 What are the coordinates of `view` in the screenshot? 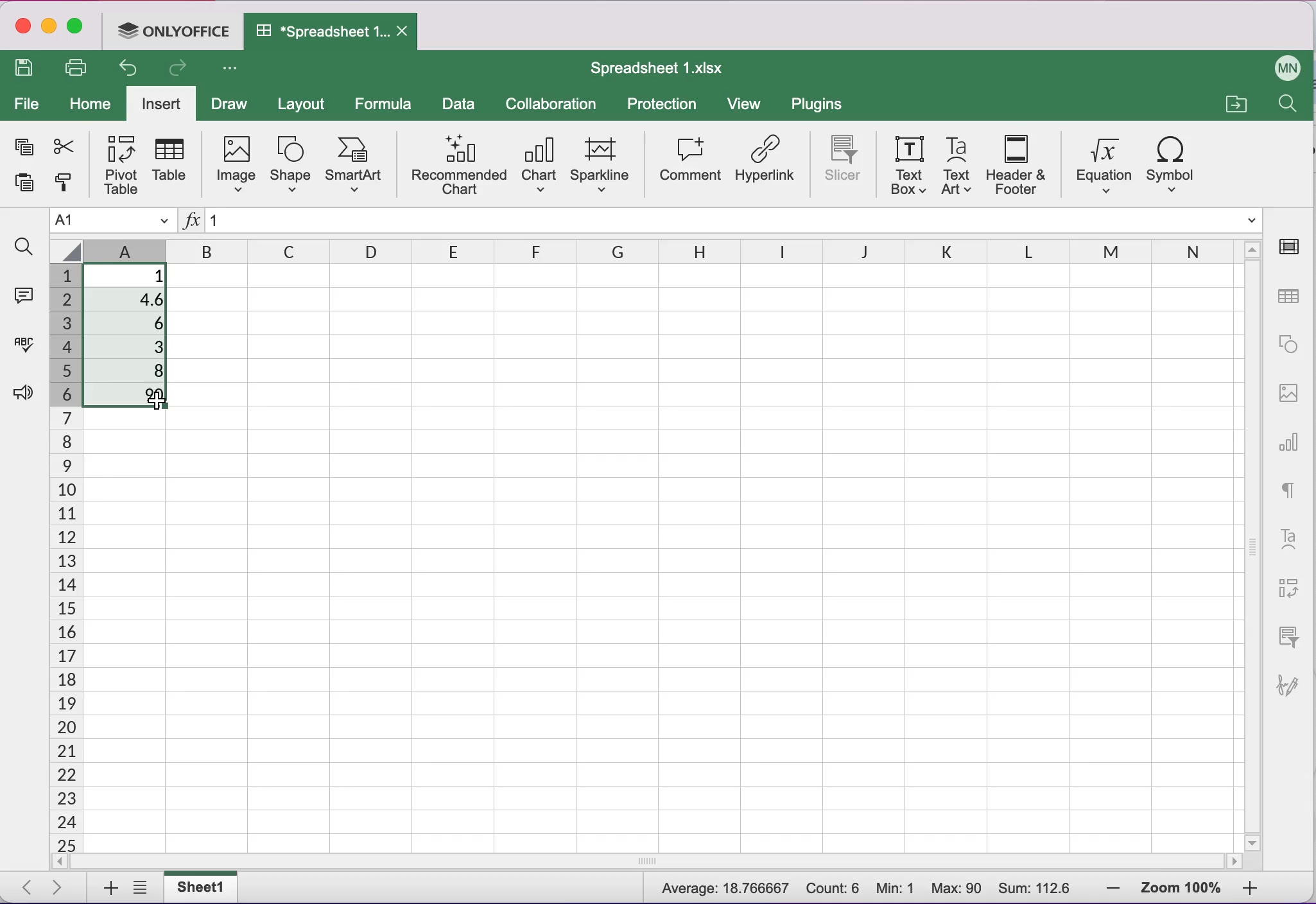 It's located at (745, 103).